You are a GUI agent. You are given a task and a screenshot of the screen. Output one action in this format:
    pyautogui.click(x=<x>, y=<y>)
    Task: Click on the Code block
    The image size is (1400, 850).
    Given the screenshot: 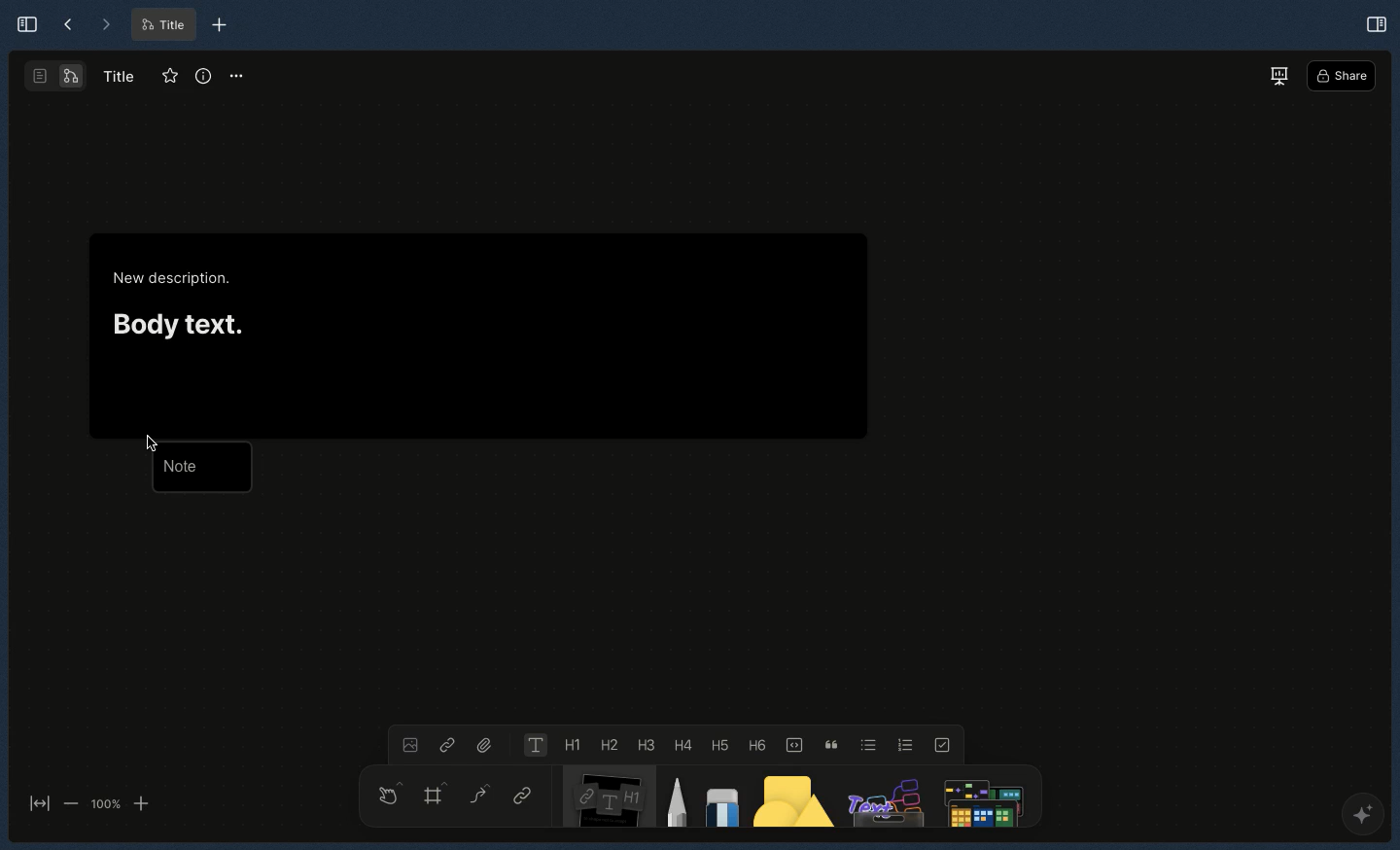 What is the action you would take?
    pyautogui.click(x=792, y=743)
    